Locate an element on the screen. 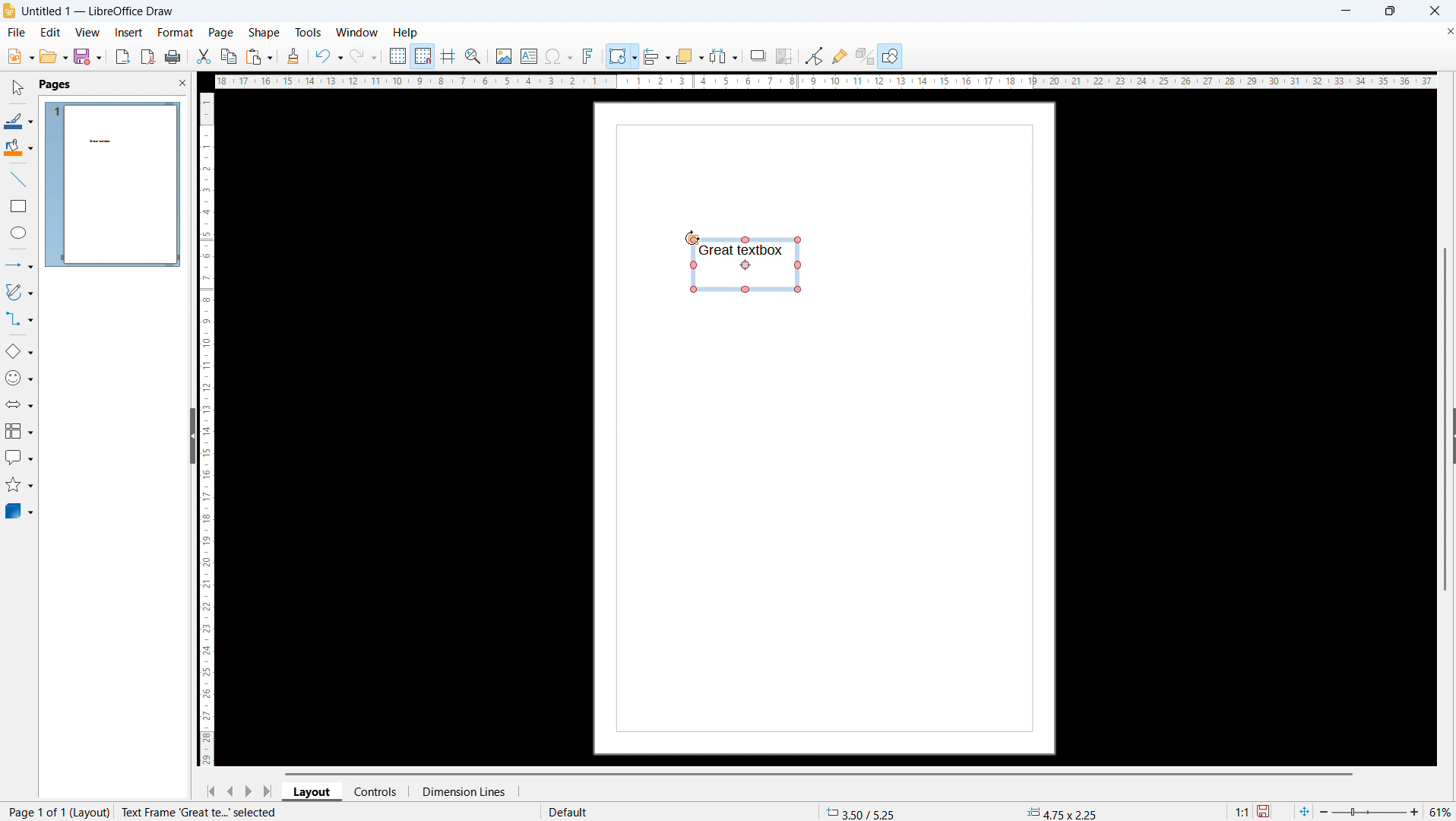 The image size is (1456, 821). Page  is located at coordinates (831, 532).